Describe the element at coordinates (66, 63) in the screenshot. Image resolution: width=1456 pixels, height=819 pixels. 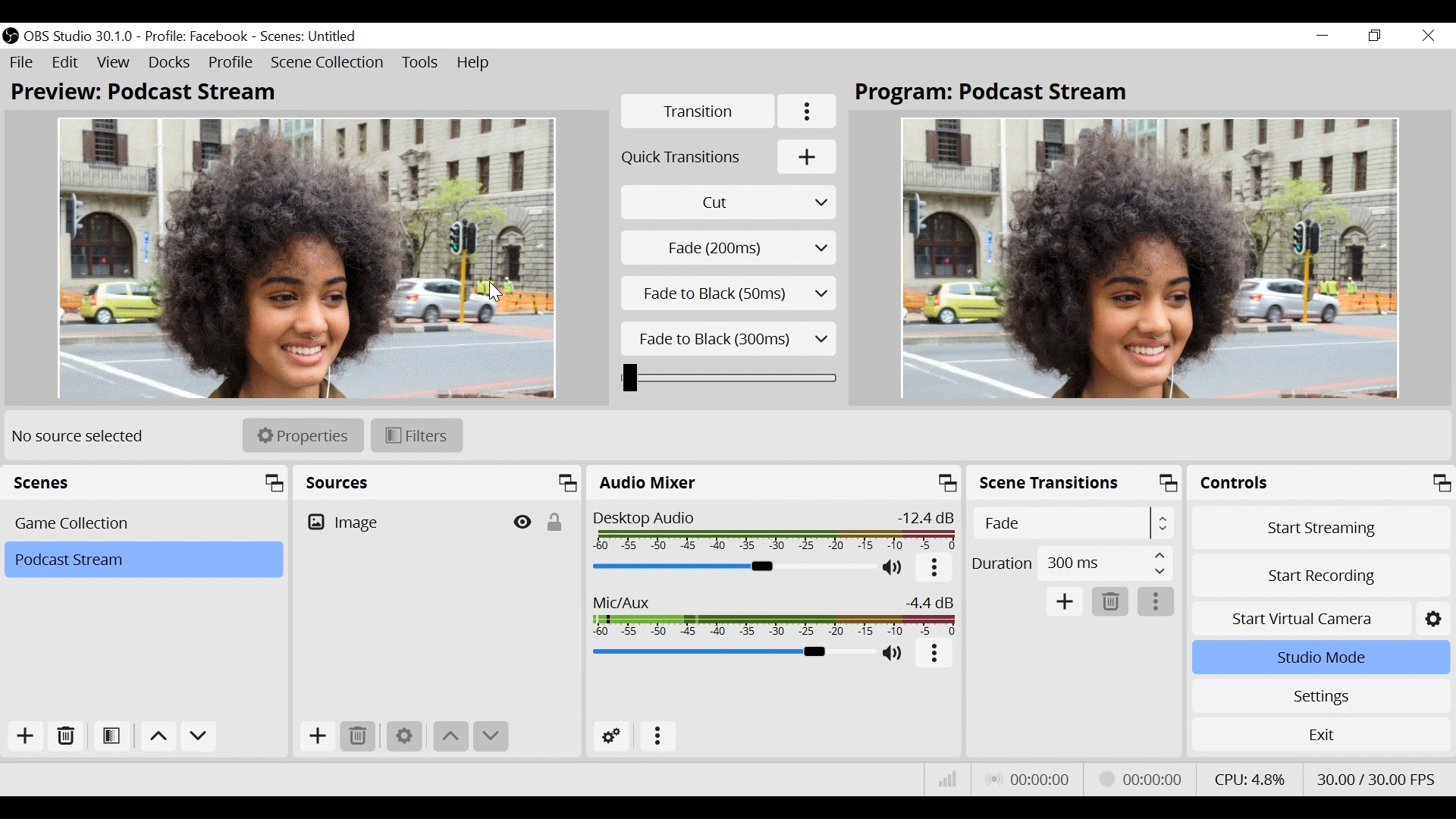
I see `Edit` at that location.